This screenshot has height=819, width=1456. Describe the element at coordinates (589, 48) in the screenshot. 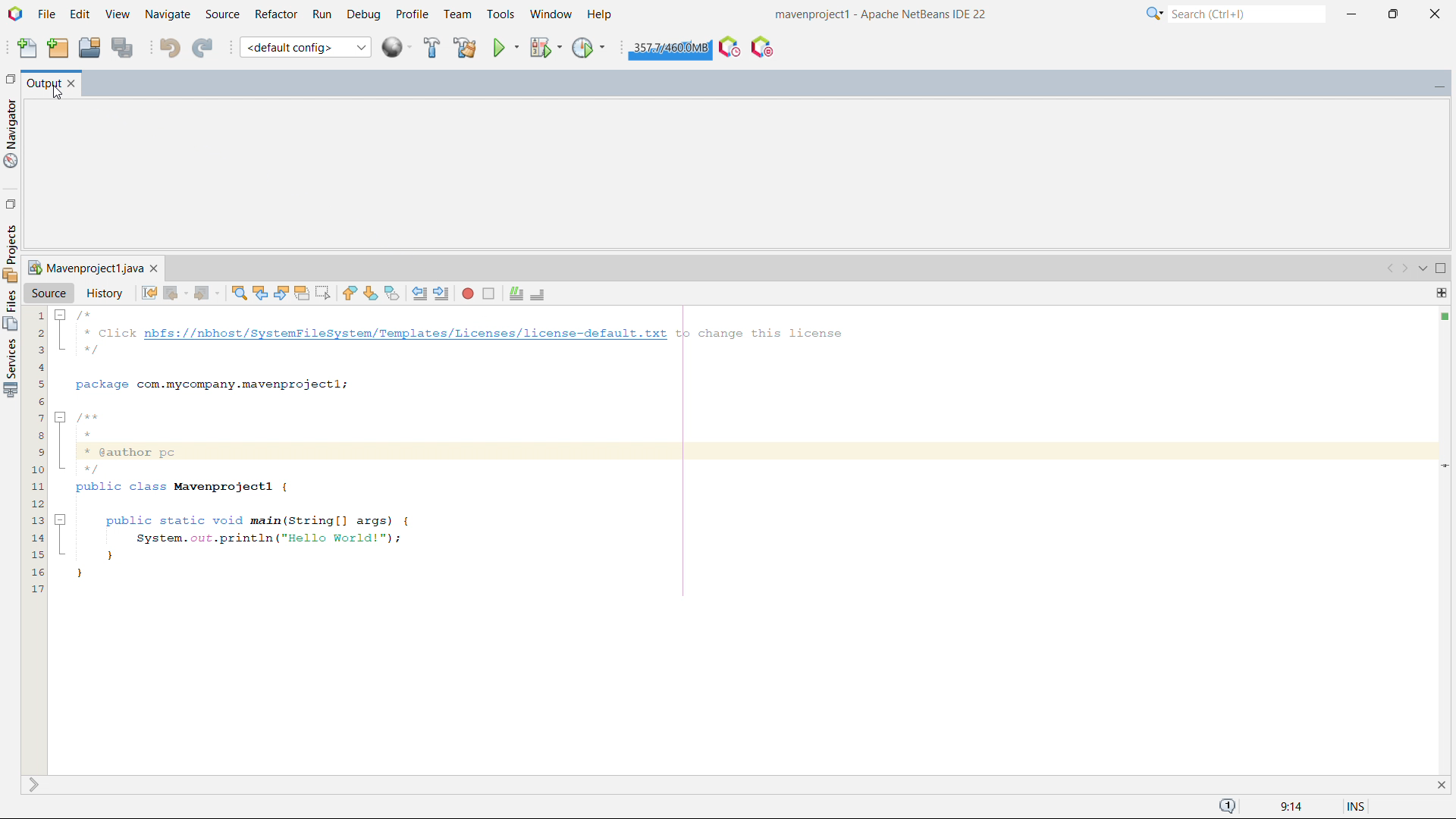

I see `profile project` at that location.